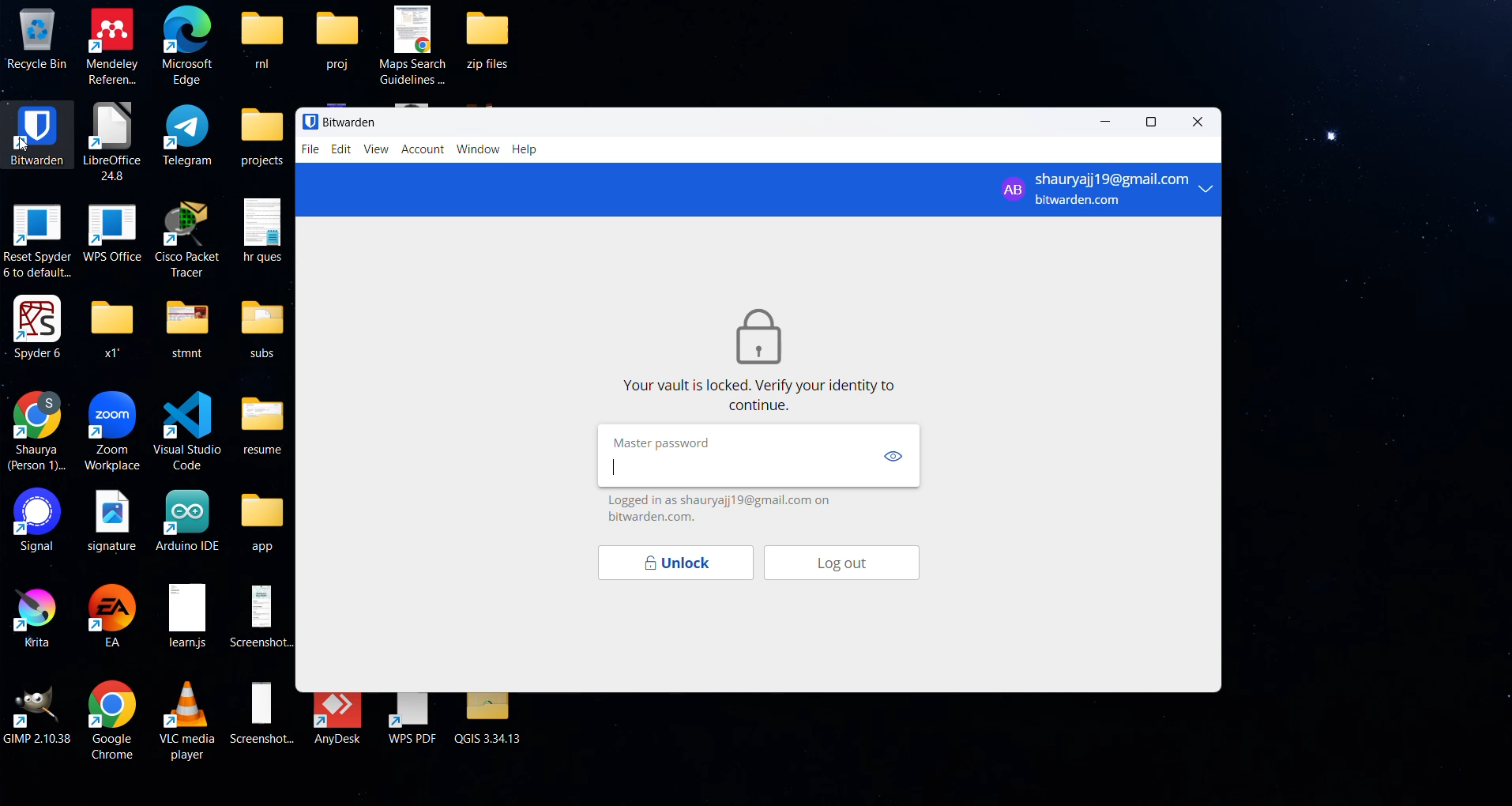 This screenshot has width=1512, height=806. Describe the element at coordinates (111, 141) in the screenshot. I see `LibreOffice 24.8` at that location.